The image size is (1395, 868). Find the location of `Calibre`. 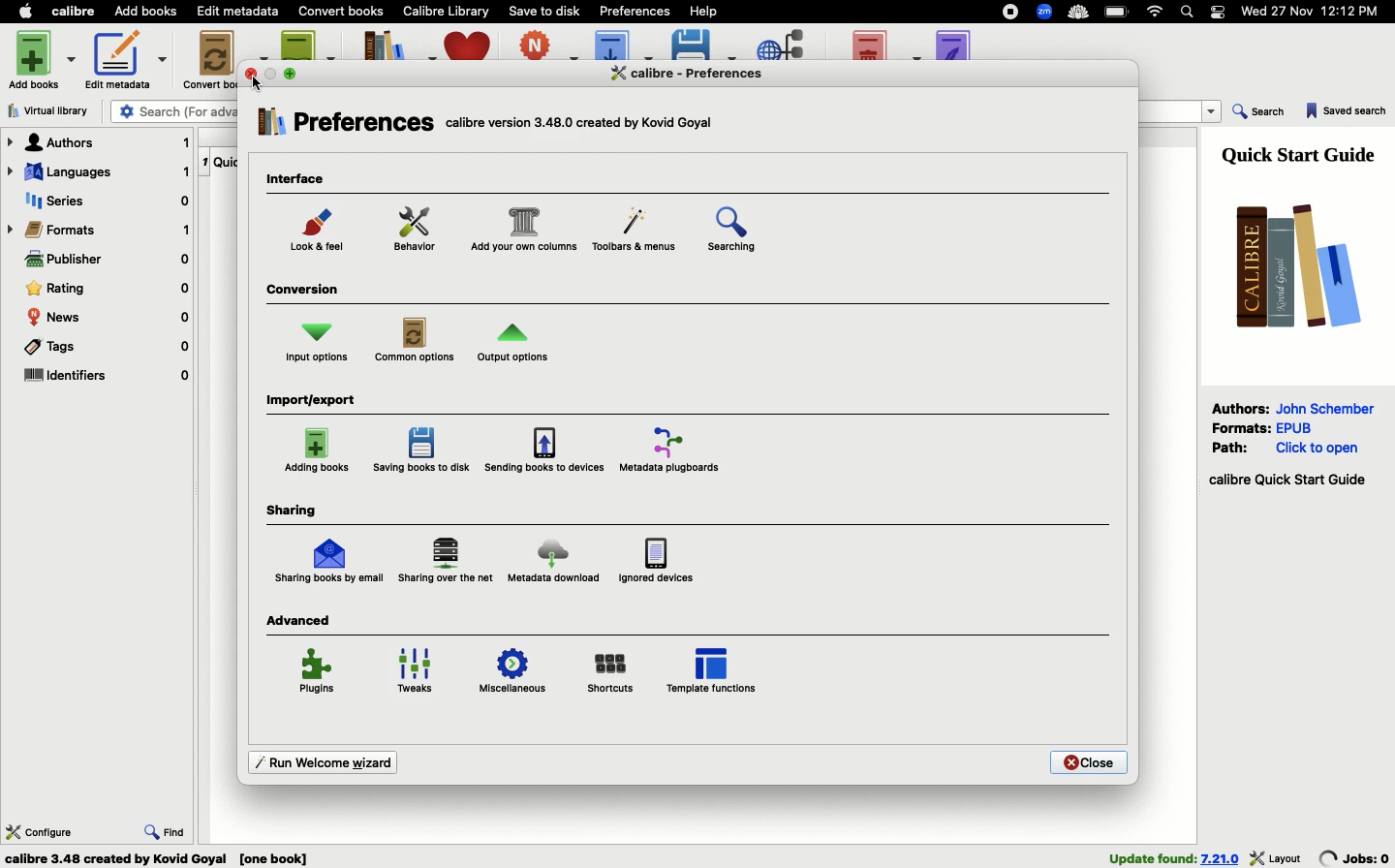

Calibre is located at coordinates (77, 11).